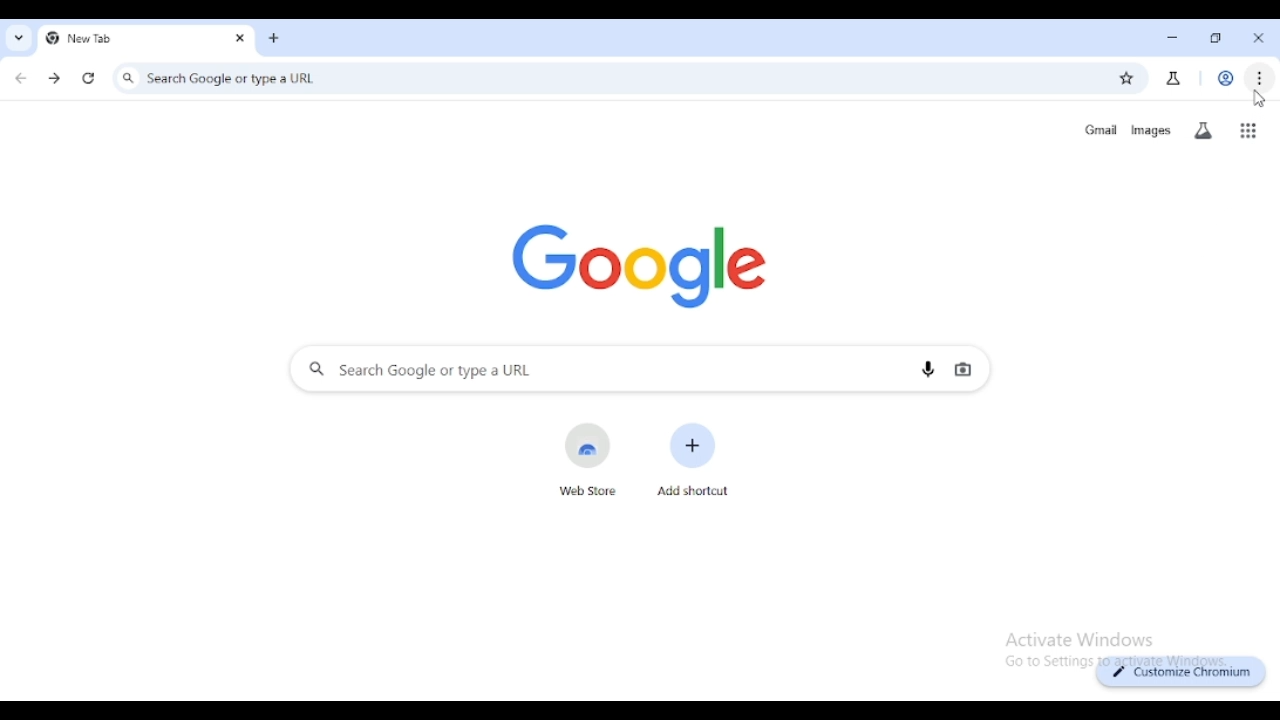  Describe the element at coordinates (88, 78) in the screenshot. I see `reload this page` at that location.